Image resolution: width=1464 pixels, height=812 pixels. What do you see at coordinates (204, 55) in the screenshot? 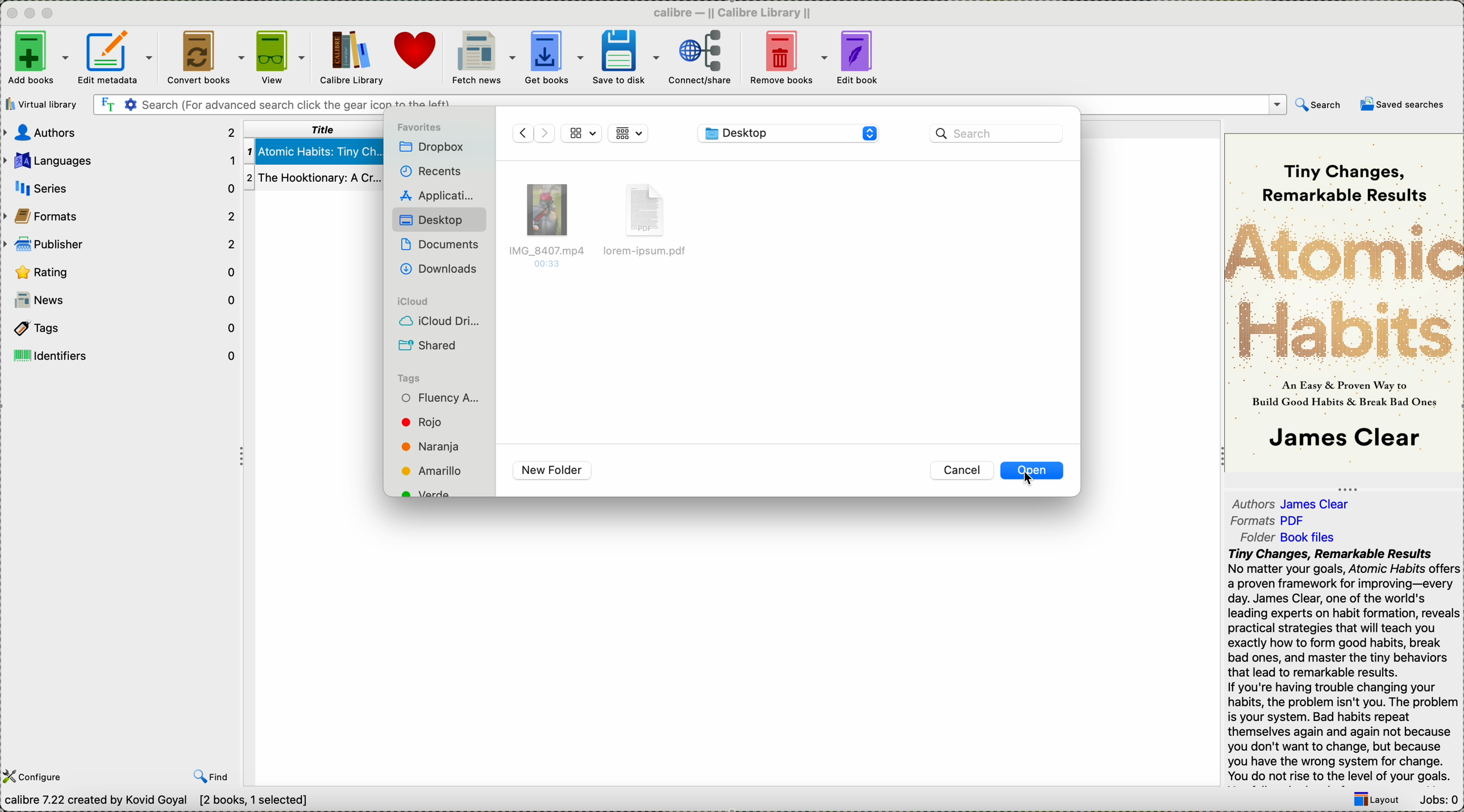
I see `convert books` at bounding box center [204, 55].